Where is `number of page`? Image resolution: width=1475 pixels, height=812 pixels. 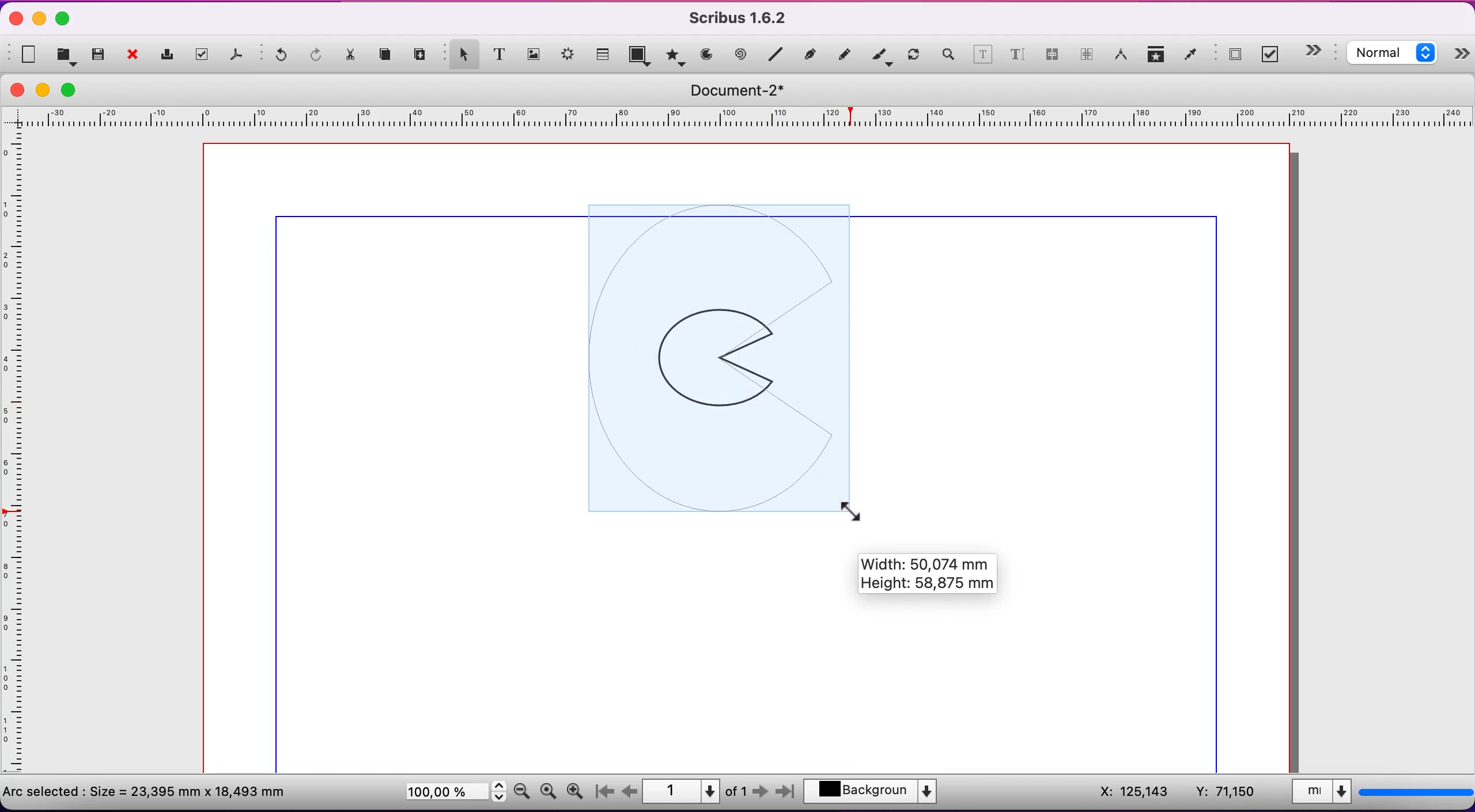
number of page is located at coordinates (696, 791).